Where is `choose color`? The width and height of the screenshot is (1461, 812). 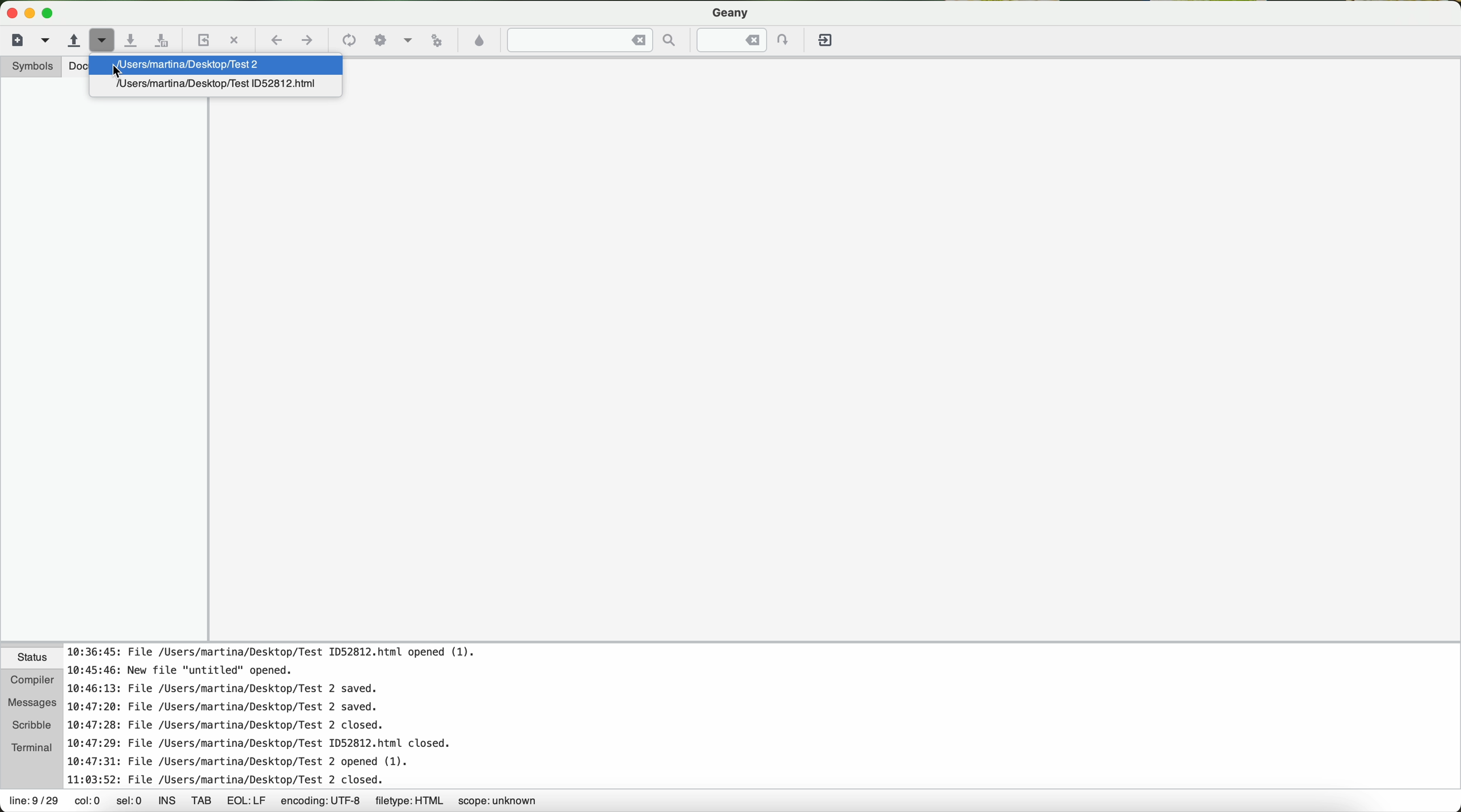 choose color is located at coordinates (478, 41).